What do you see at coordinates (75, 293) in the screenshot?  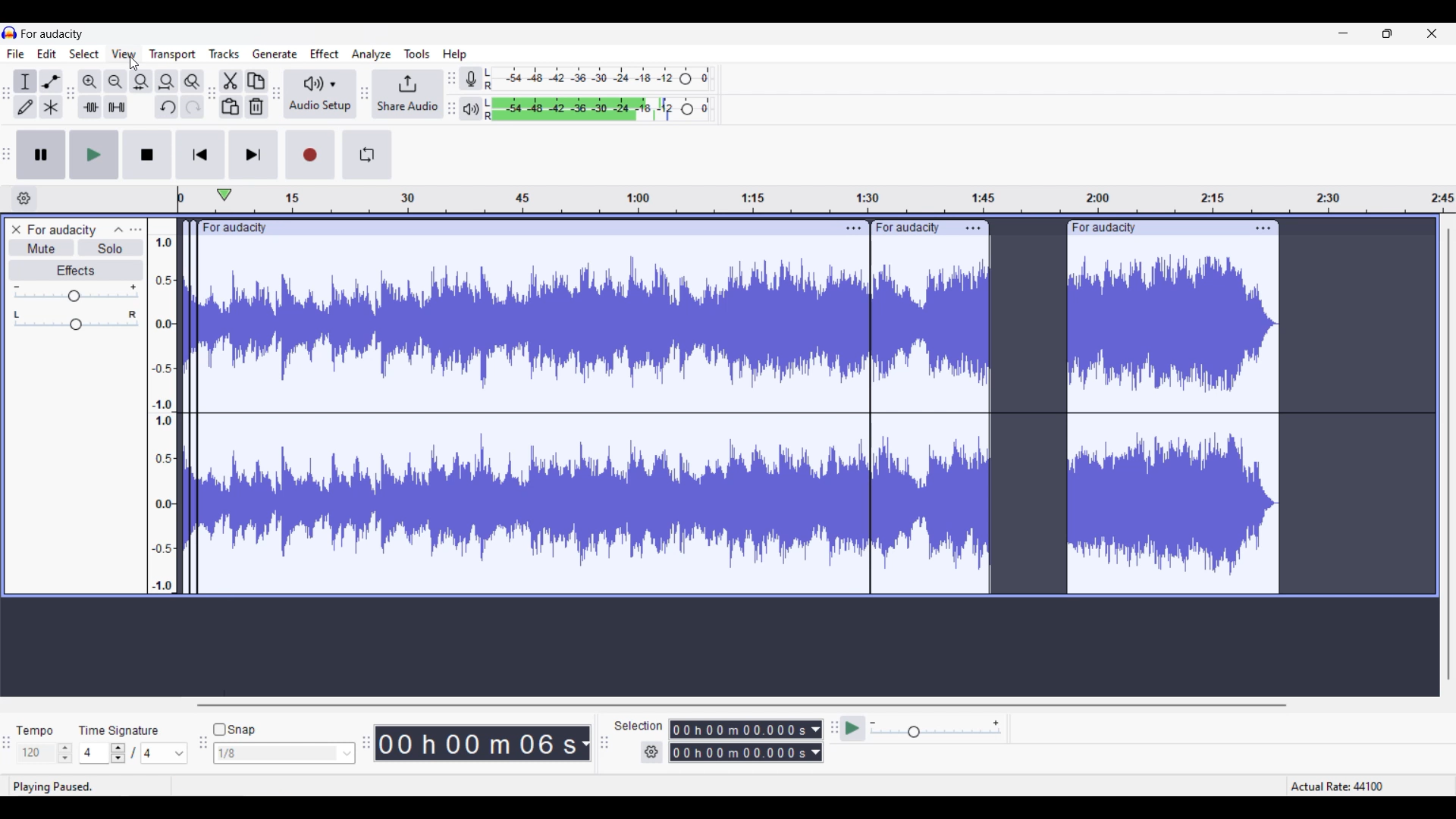 I see `Volume slider` at bounding box center [75, 293].